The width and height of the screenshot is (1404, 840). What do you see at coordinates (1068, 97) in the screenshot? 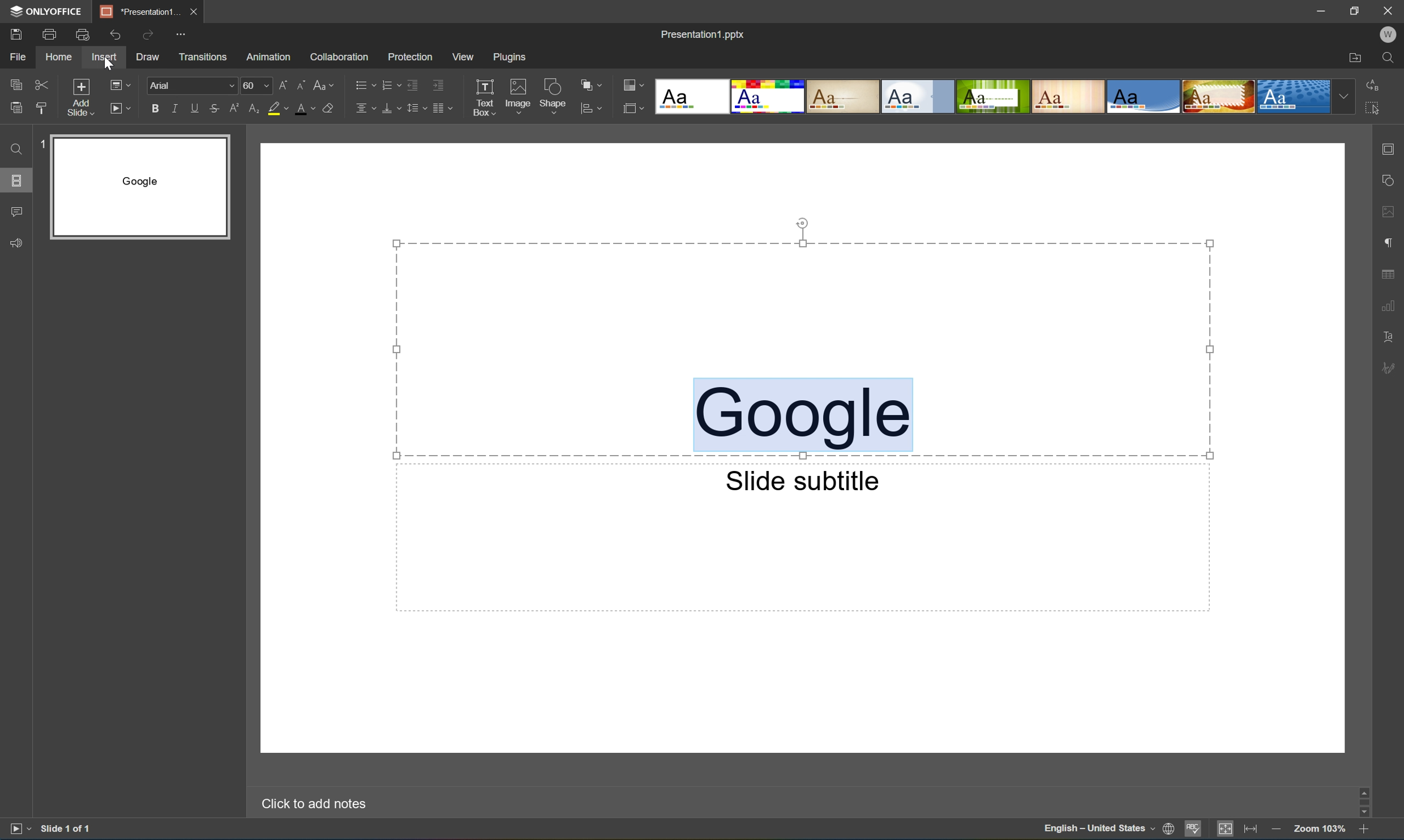
I see `Lines` at bounding box center [1068, 97].